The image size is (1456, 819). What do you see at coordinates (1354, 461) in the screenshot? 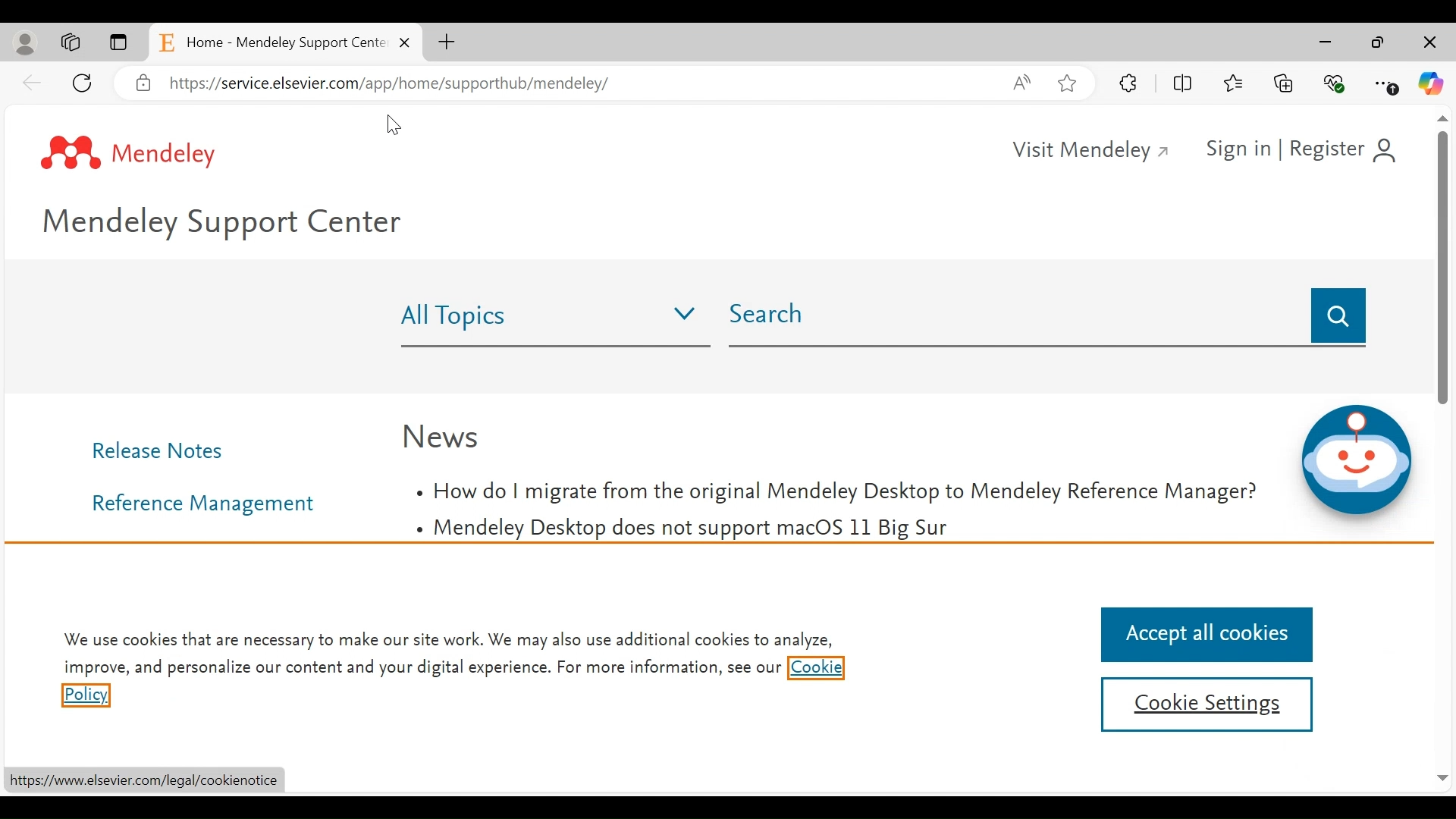
I see `Robot` at bounding box center [1354, 461].